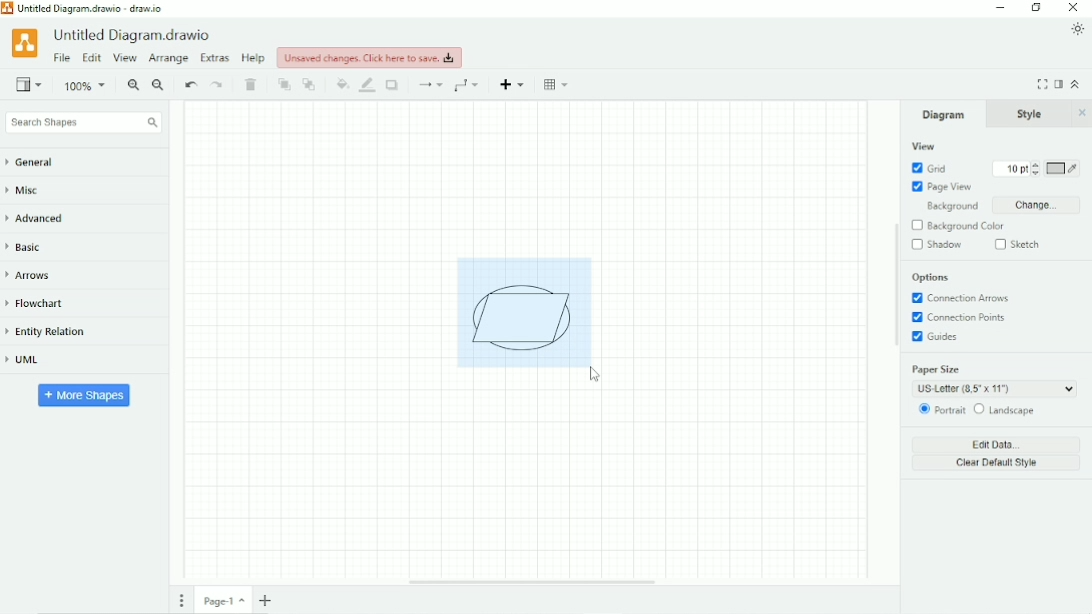 This screenshot has width=1092, height=614. What do you see at coordinates (1082, 113) in the screenshot?
I see `Close` at bounding box center [1082, 113].